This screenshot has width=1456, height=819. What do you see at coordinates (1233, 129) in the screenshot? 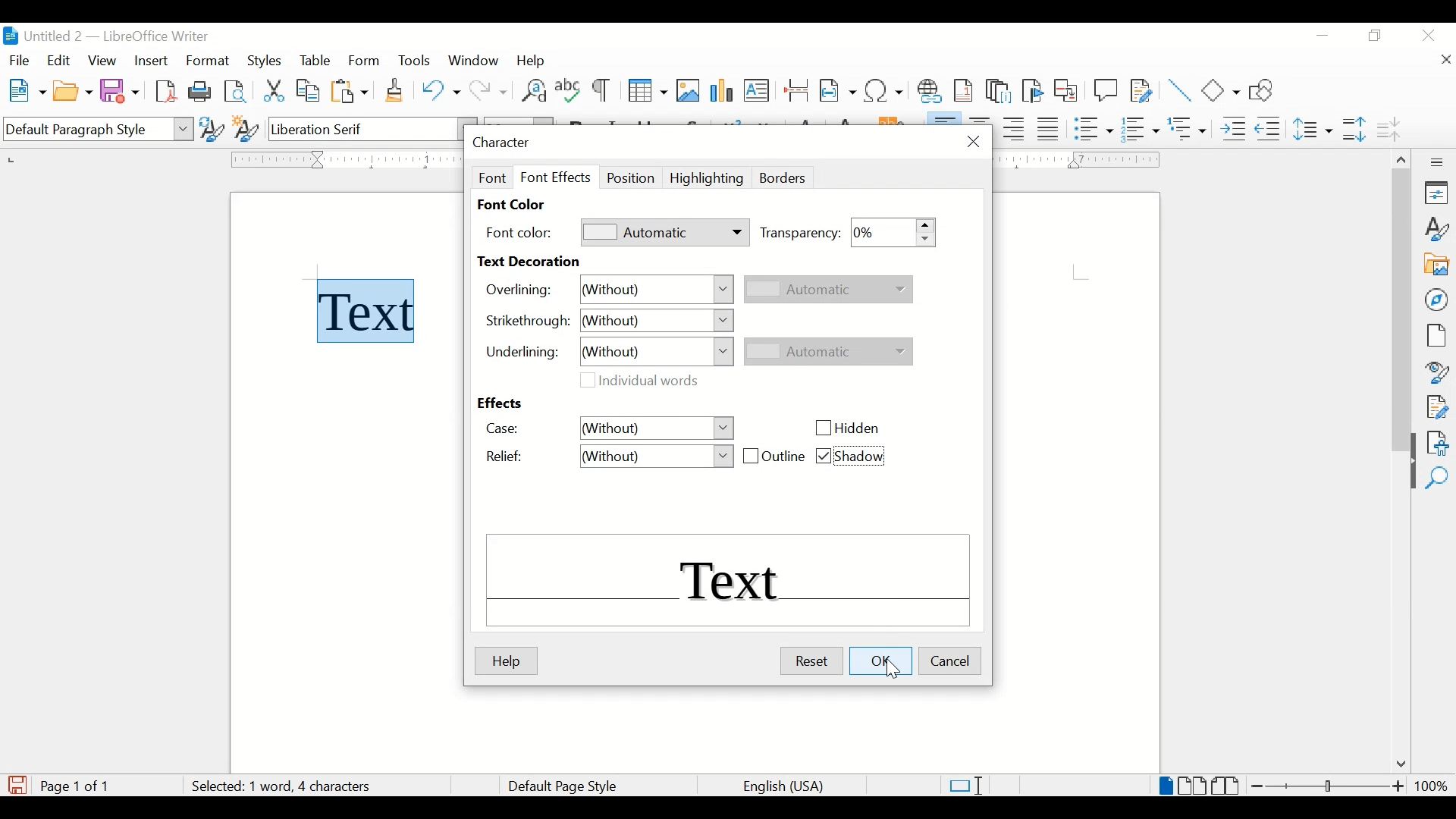
I see `increase indent` at bounding box center [1233, 129].